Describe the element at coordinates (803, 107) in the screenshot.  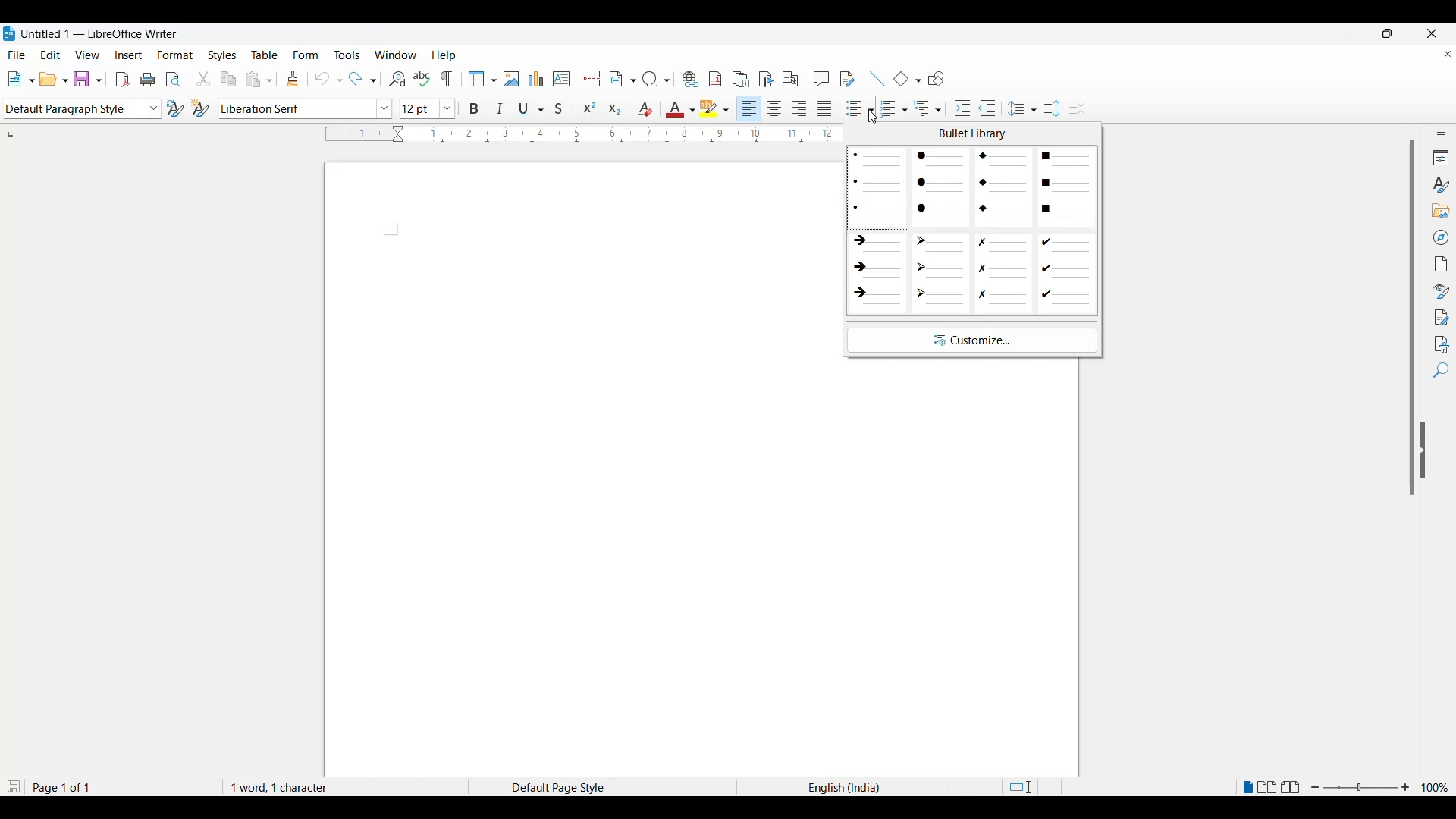
I see `align right` at that location.